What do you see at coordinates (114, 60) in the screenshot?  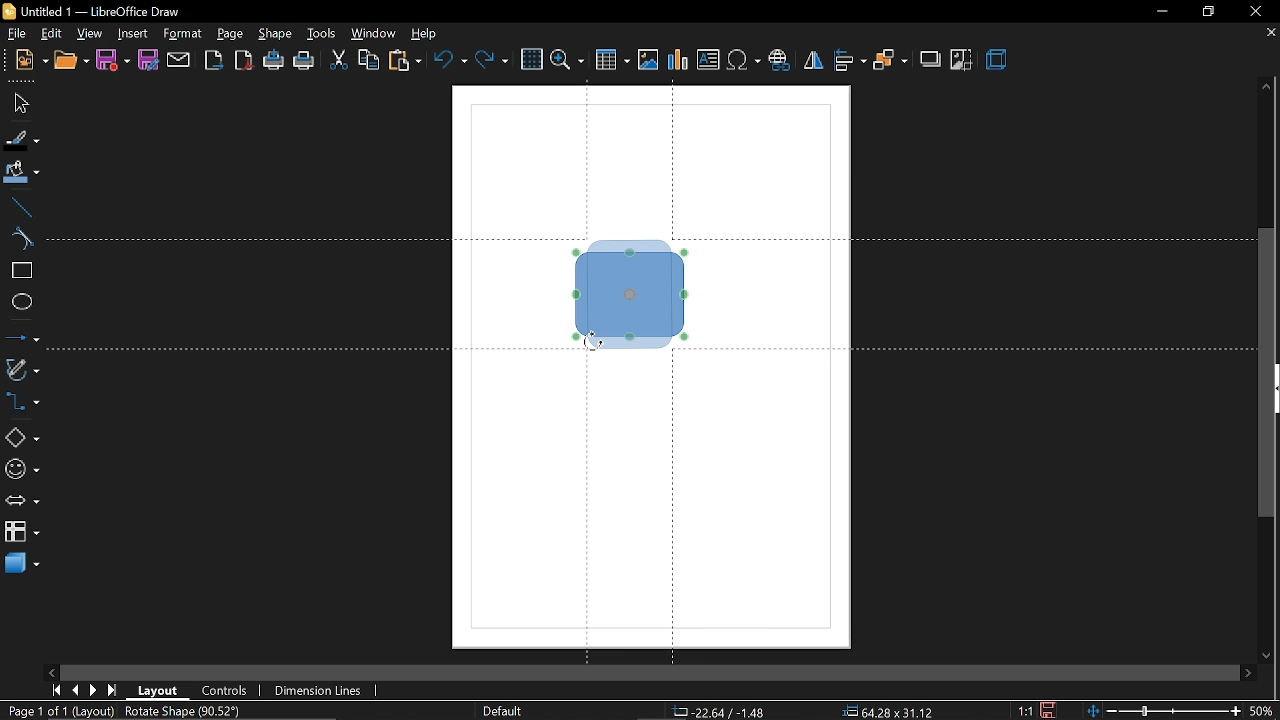 I see `save` at bounding box center [114, 60].